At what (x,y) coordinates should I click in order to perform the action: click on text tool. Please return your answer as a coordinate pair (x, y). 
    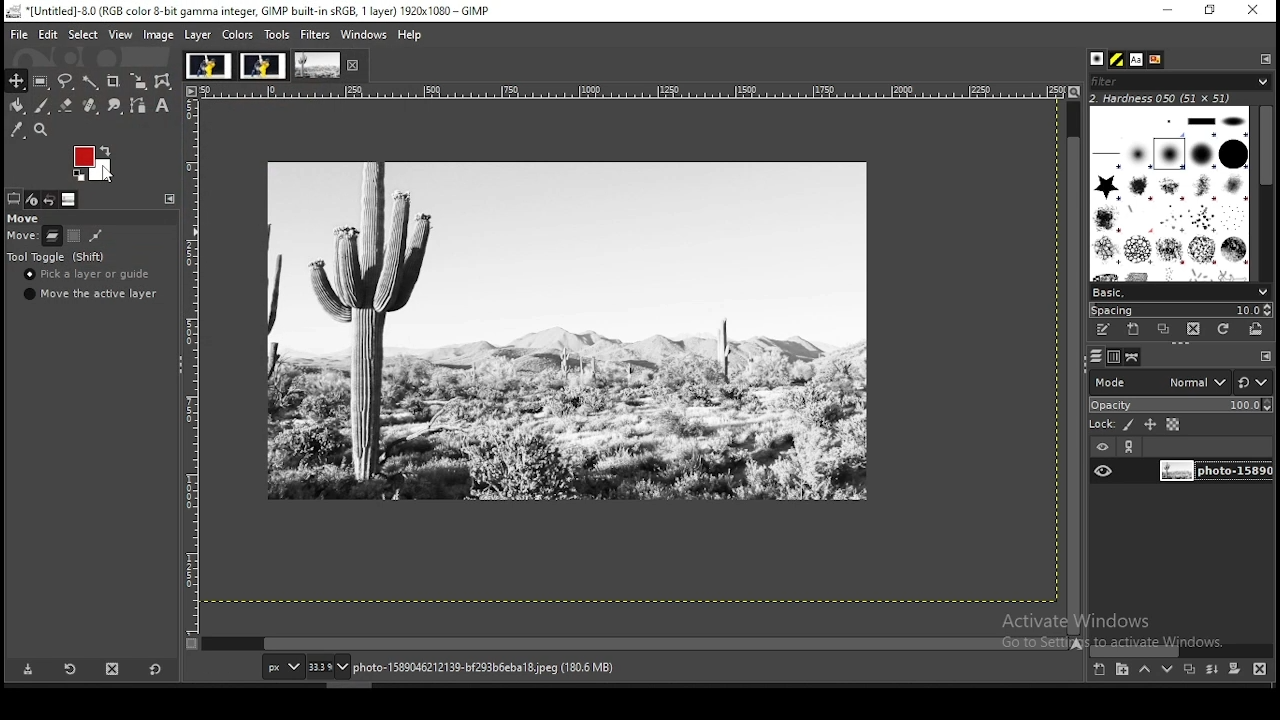
    Looking at the image, I should click on (164, 106).